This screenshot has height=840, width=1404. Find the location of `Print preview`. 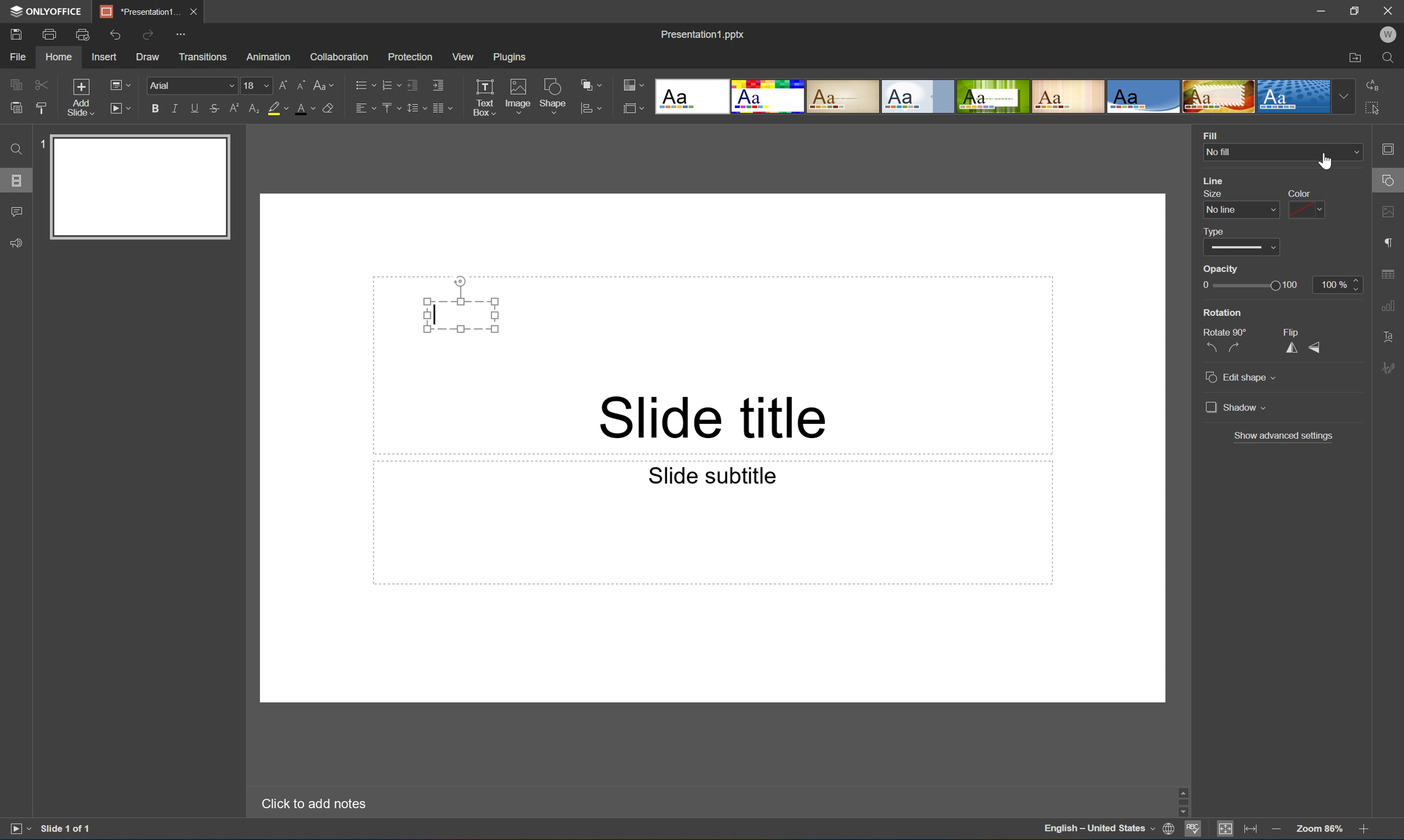

Print preview is located at coordinates (83, 35).